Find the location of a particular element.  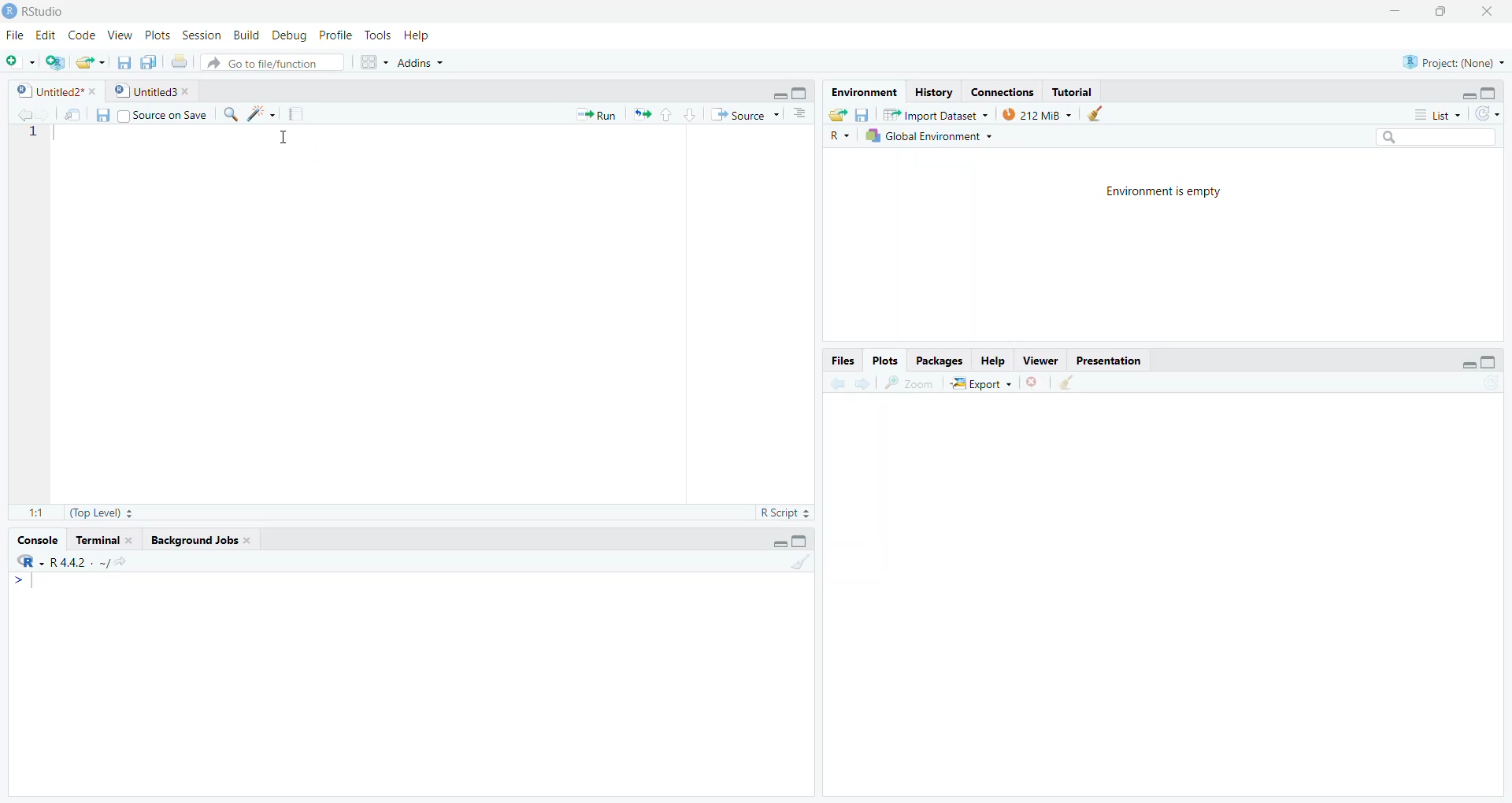

minimize is located at coordinates (769, 543).